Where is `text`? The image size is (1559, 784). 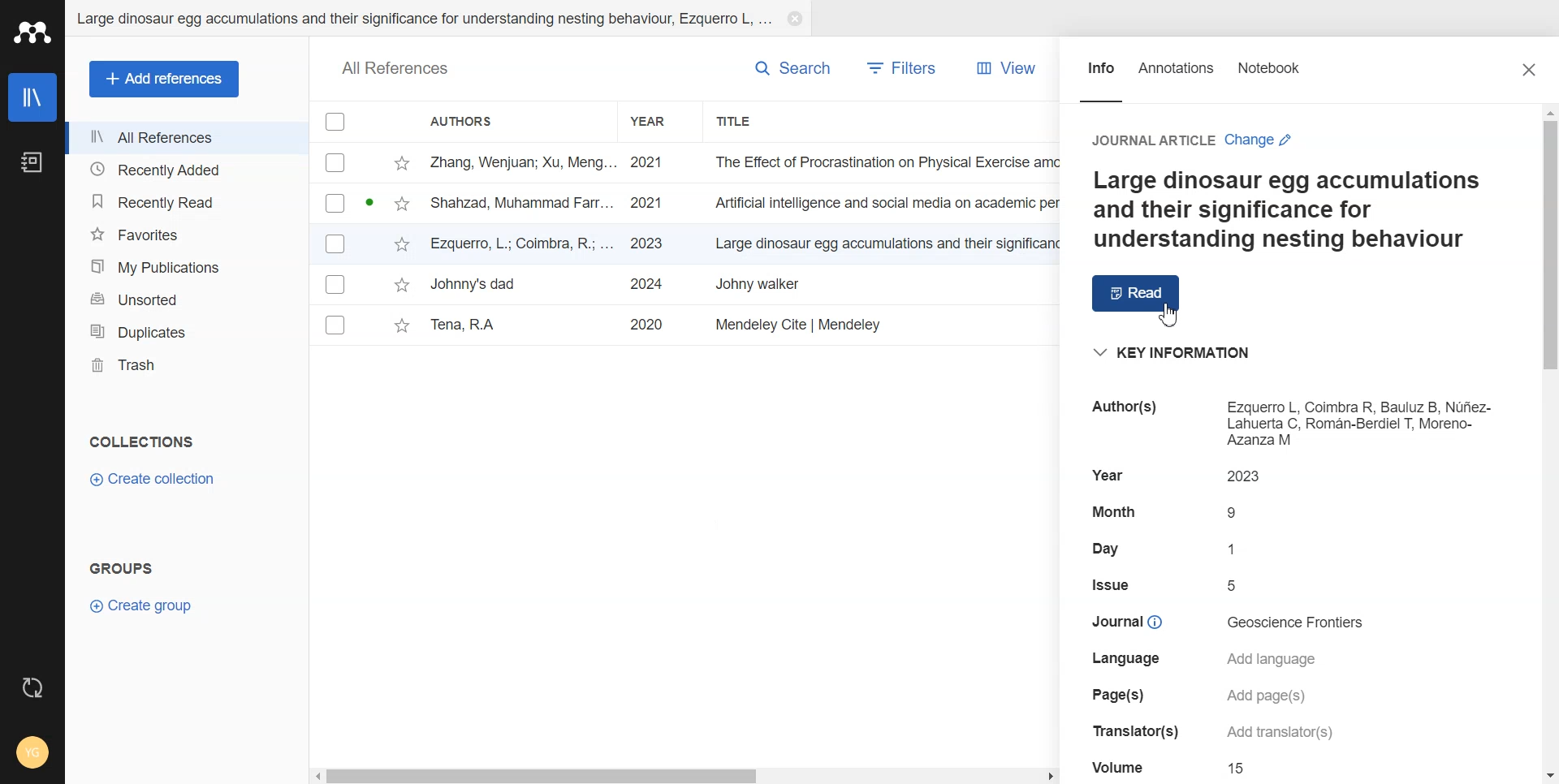 text is located at coordinates (1276, 734).